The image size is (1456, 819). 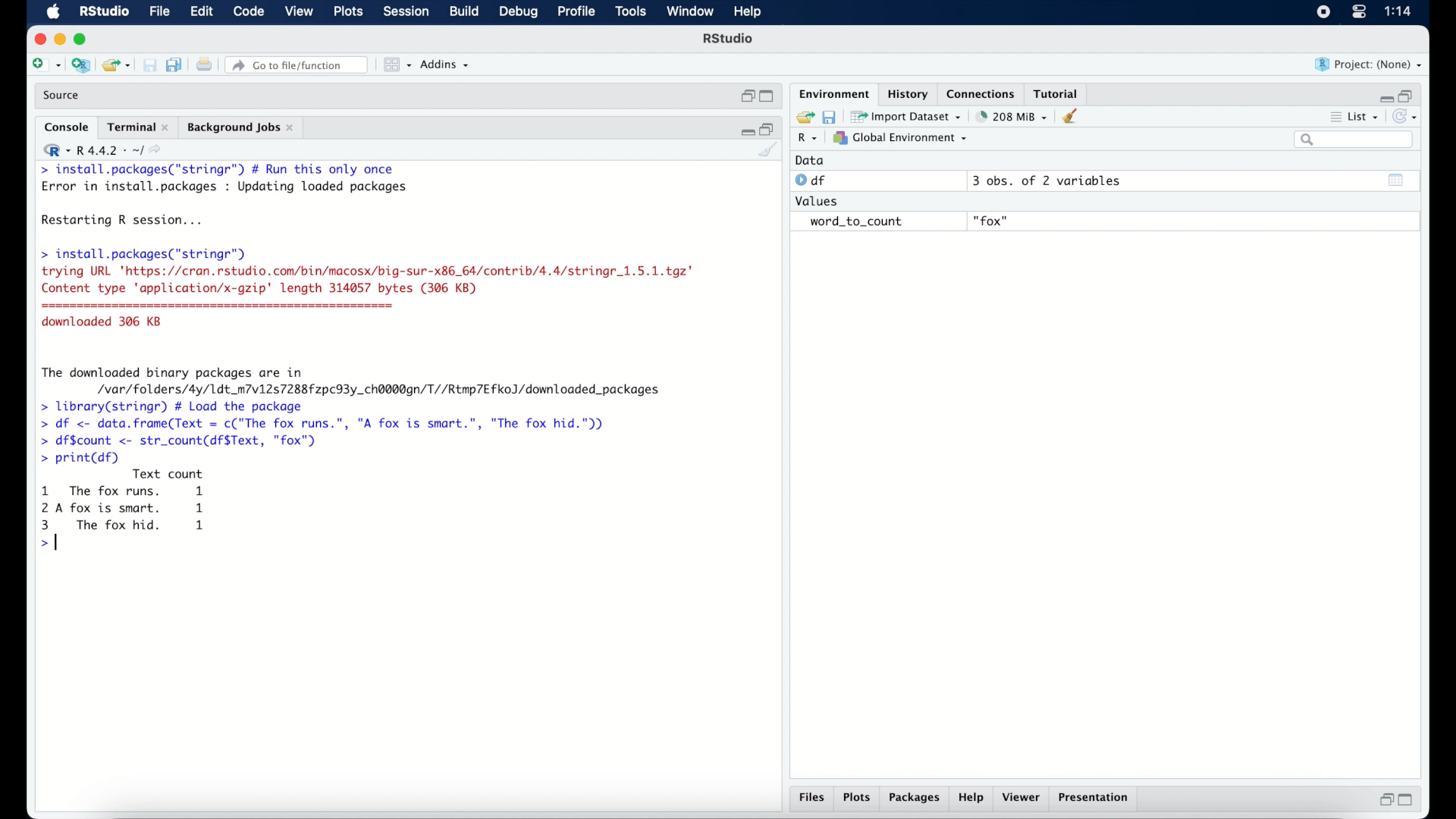 I want to click on clear console, so click(x=1074, y=116).